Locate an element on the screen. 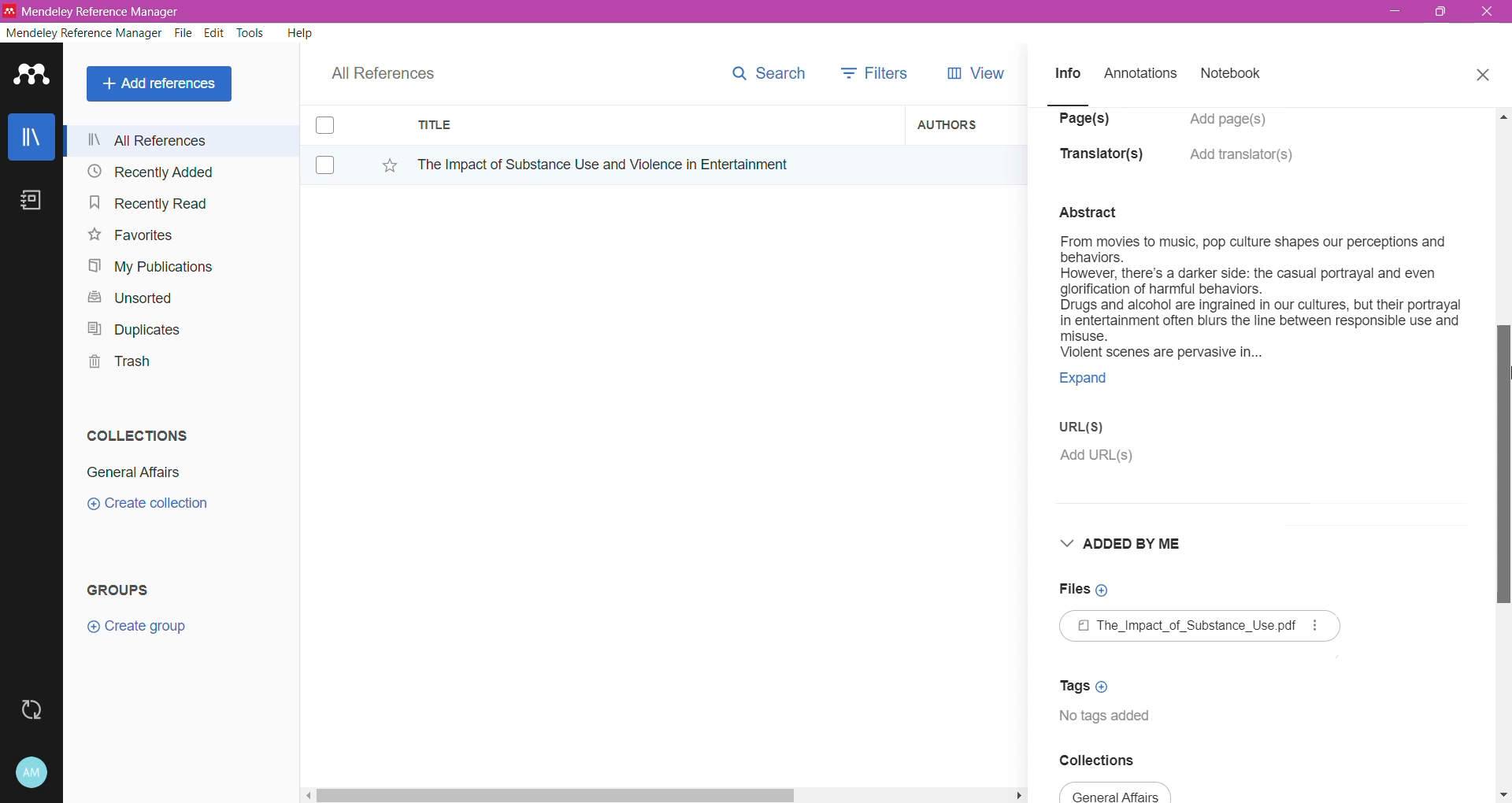 The width and height of the screenshot is (1512, 803). Added By Me is located at coordinates (1117, 544).